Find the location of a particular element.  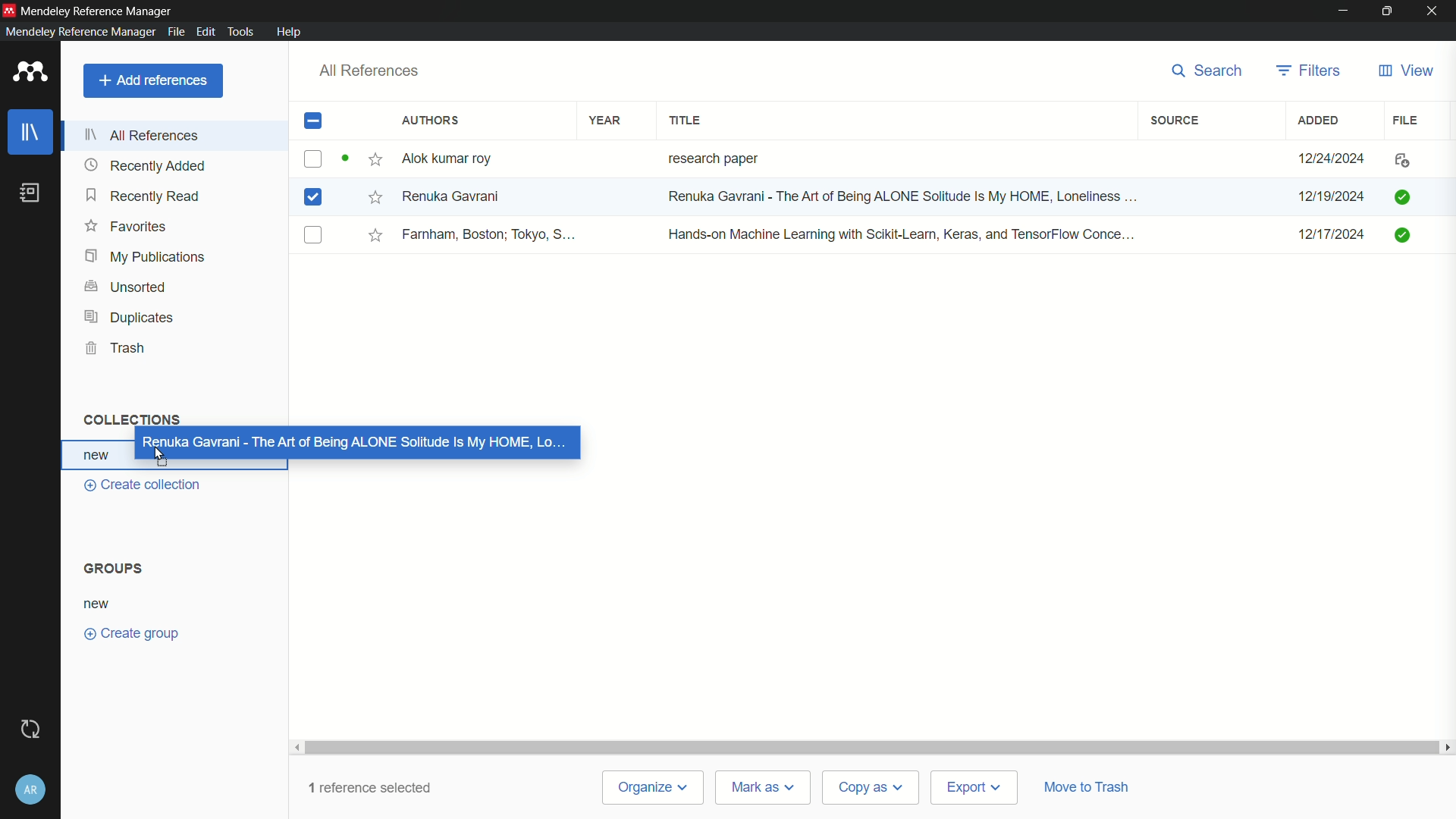

year is located at coordinates (604, 121).